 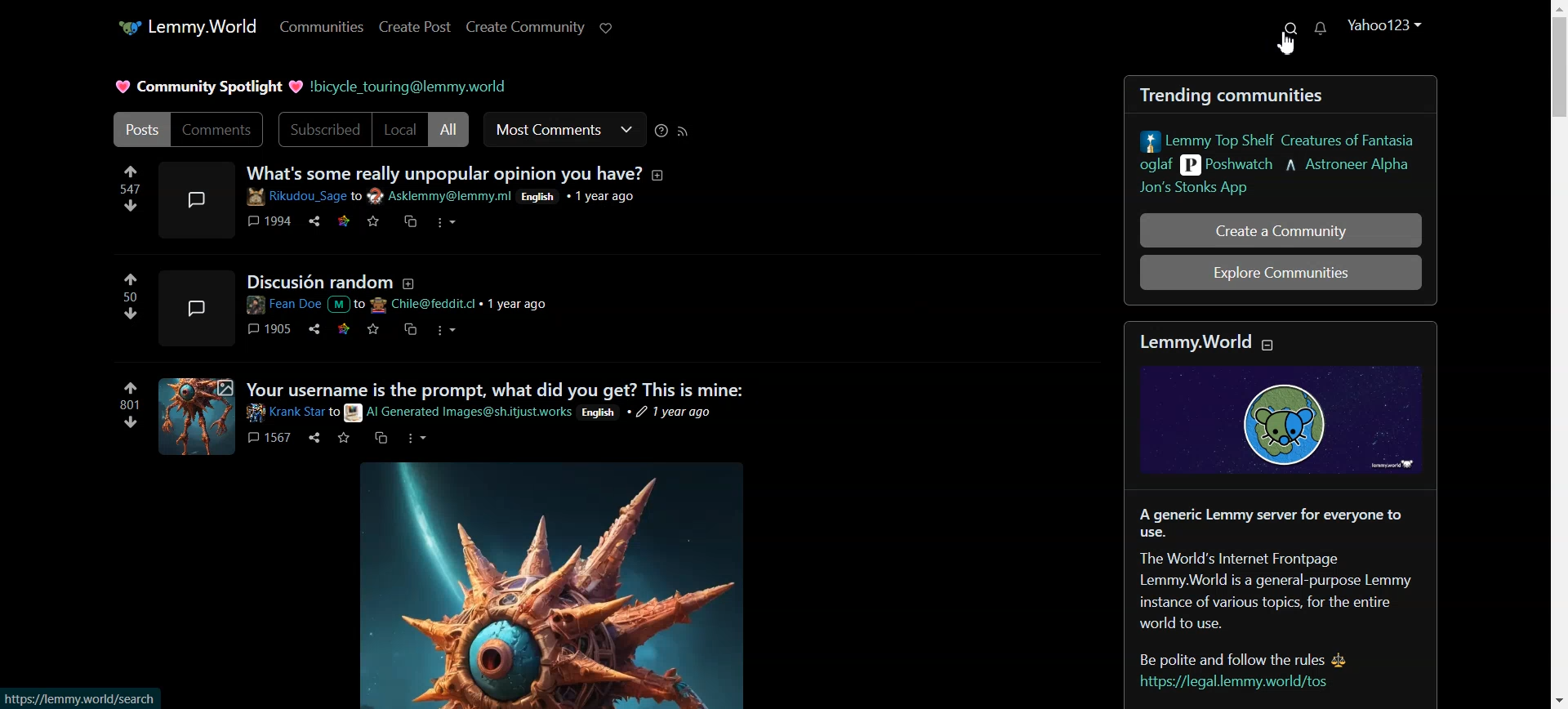 I want to click on message, so click(x=381, y=438).